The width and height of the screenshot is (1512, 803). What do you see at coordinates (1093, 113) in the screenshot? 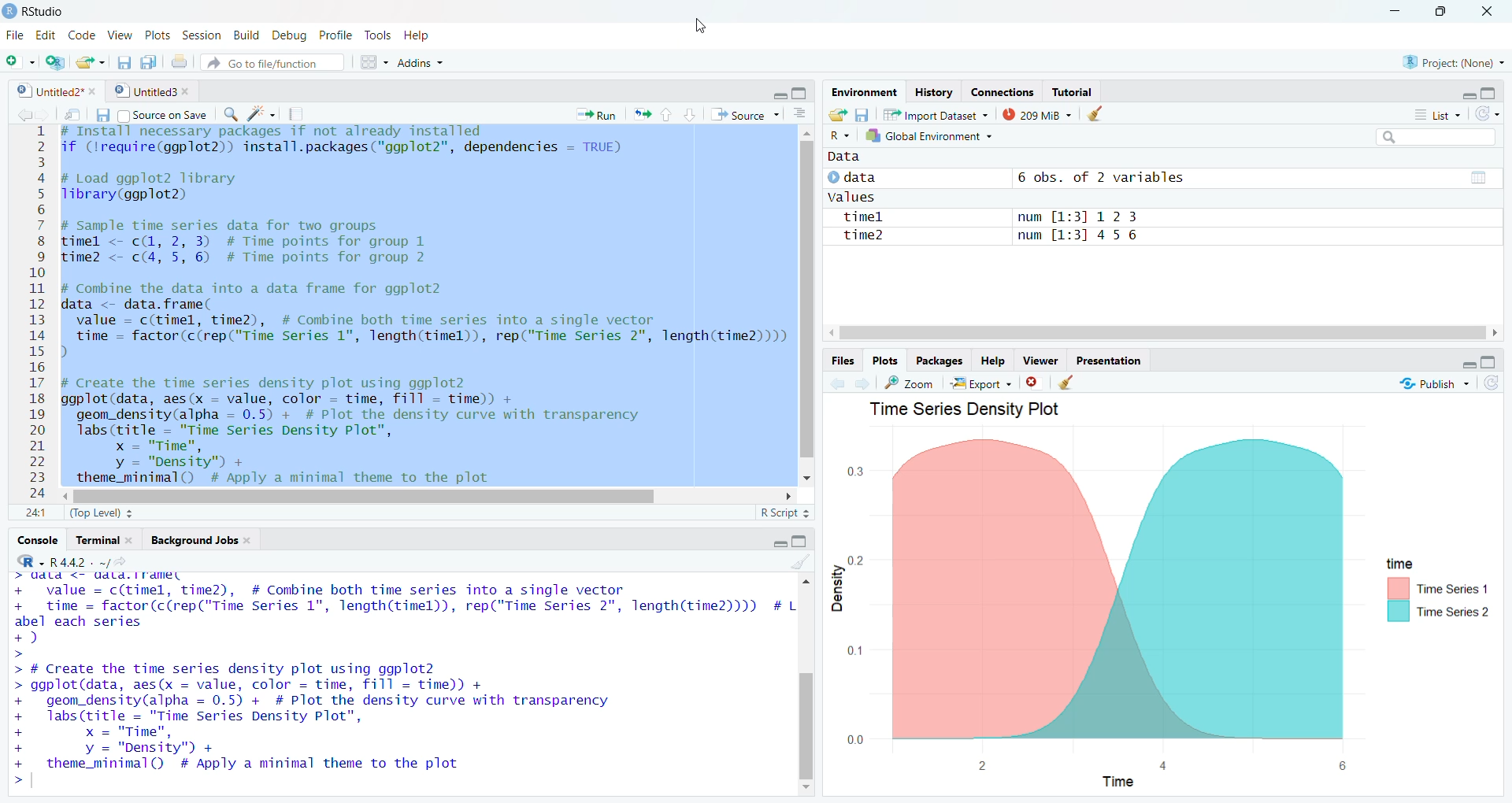
I see `clean` at bounding box center [1093, 113].